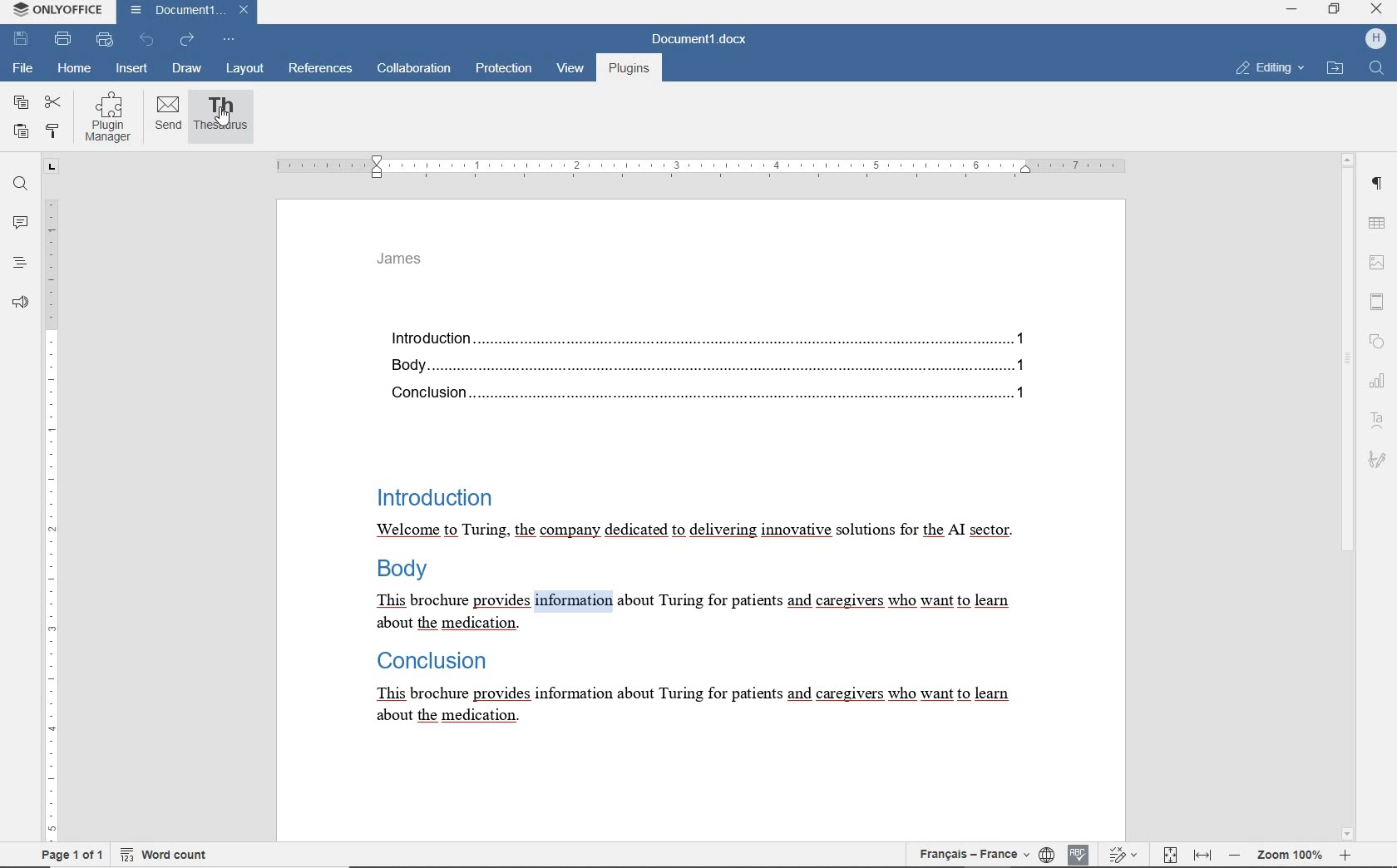 The width and height of the screenshot is (1397, 868). I want to click on SAVE, so click(22, 39).